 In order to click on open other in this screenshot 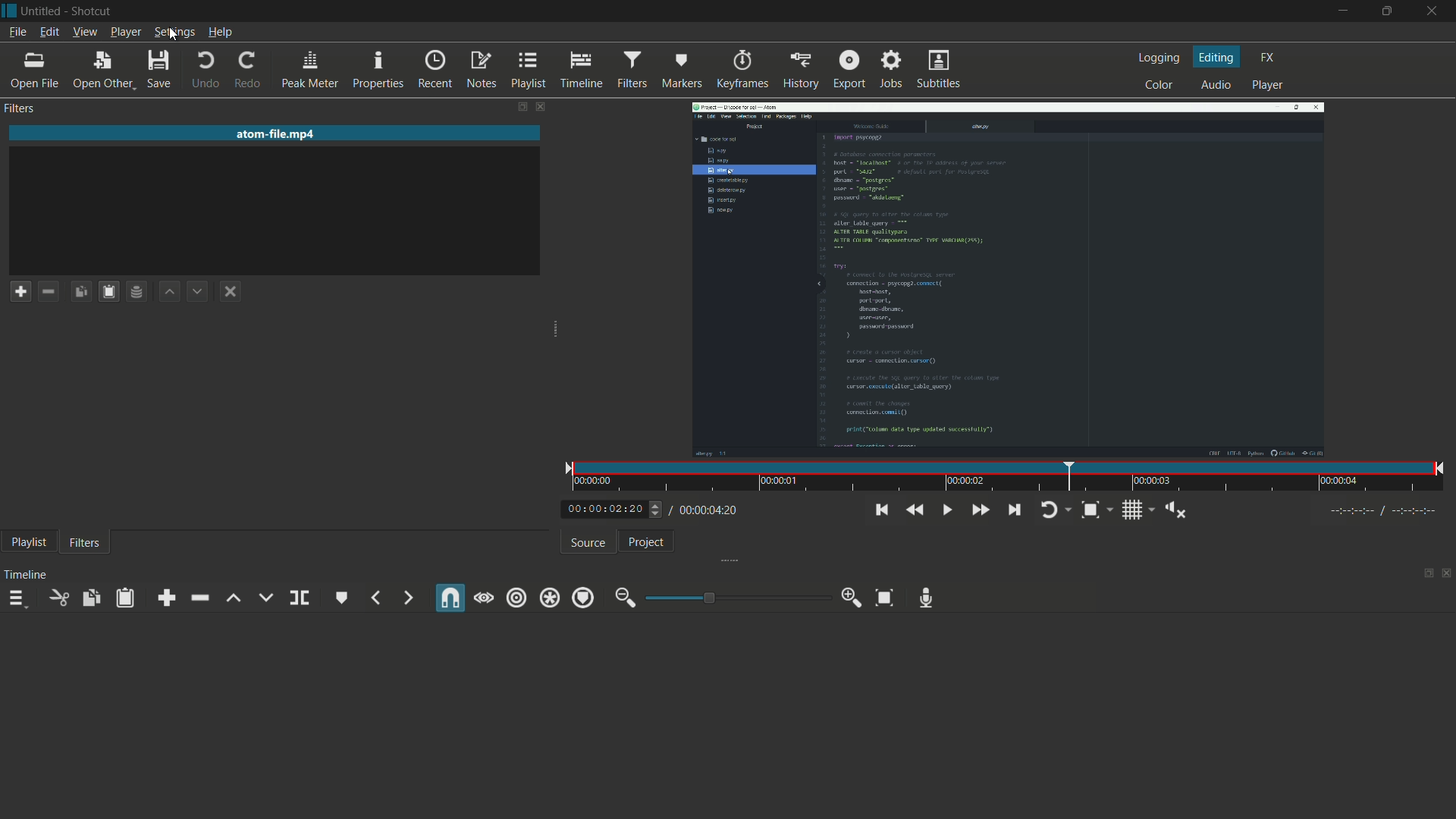, I will do `click(102, 70)`.